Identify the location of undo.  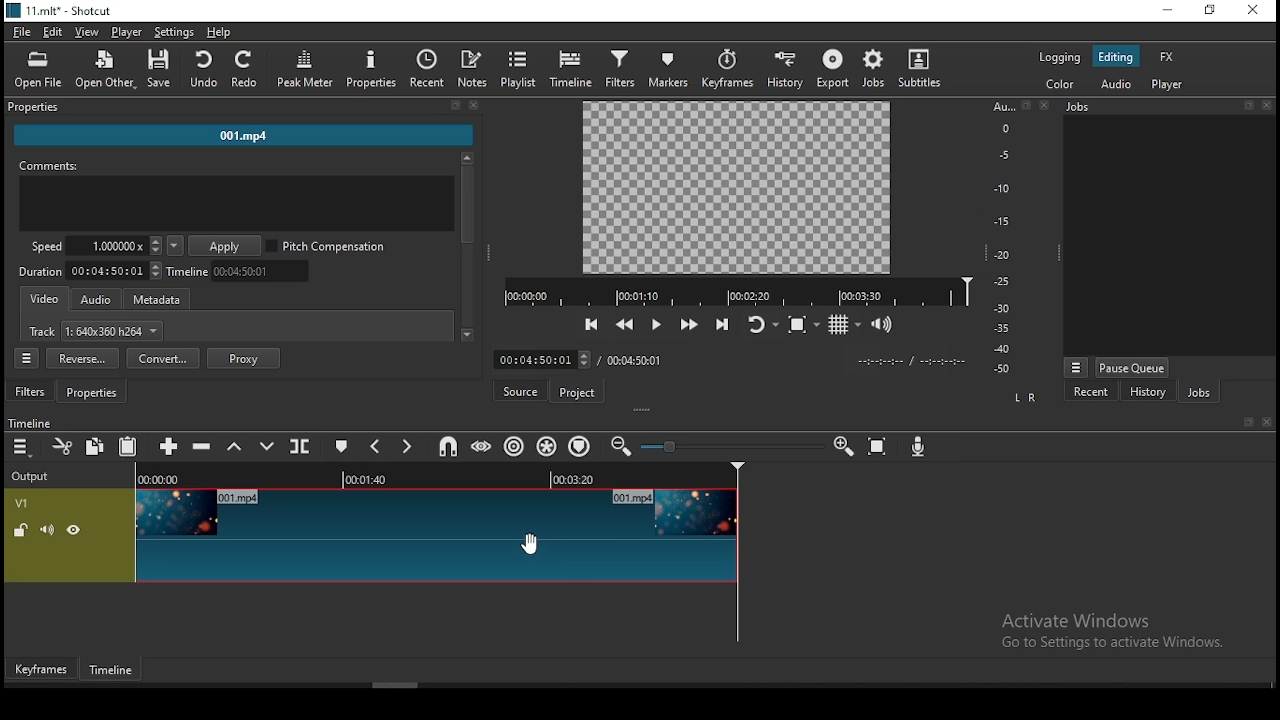
(205, 70).